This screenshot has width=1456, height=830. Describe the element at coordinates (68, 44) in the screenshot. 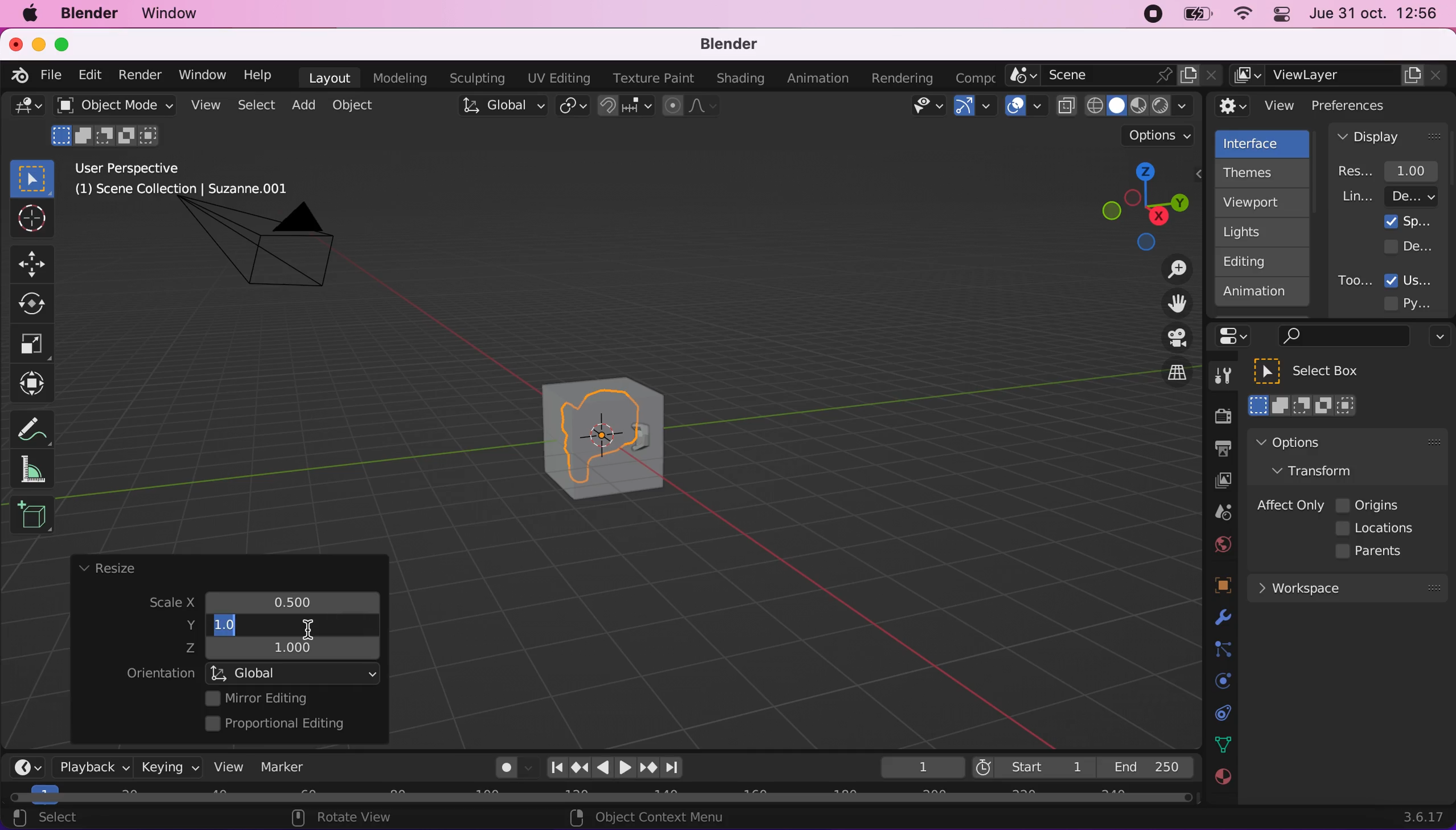

I see `maximize` at that location.